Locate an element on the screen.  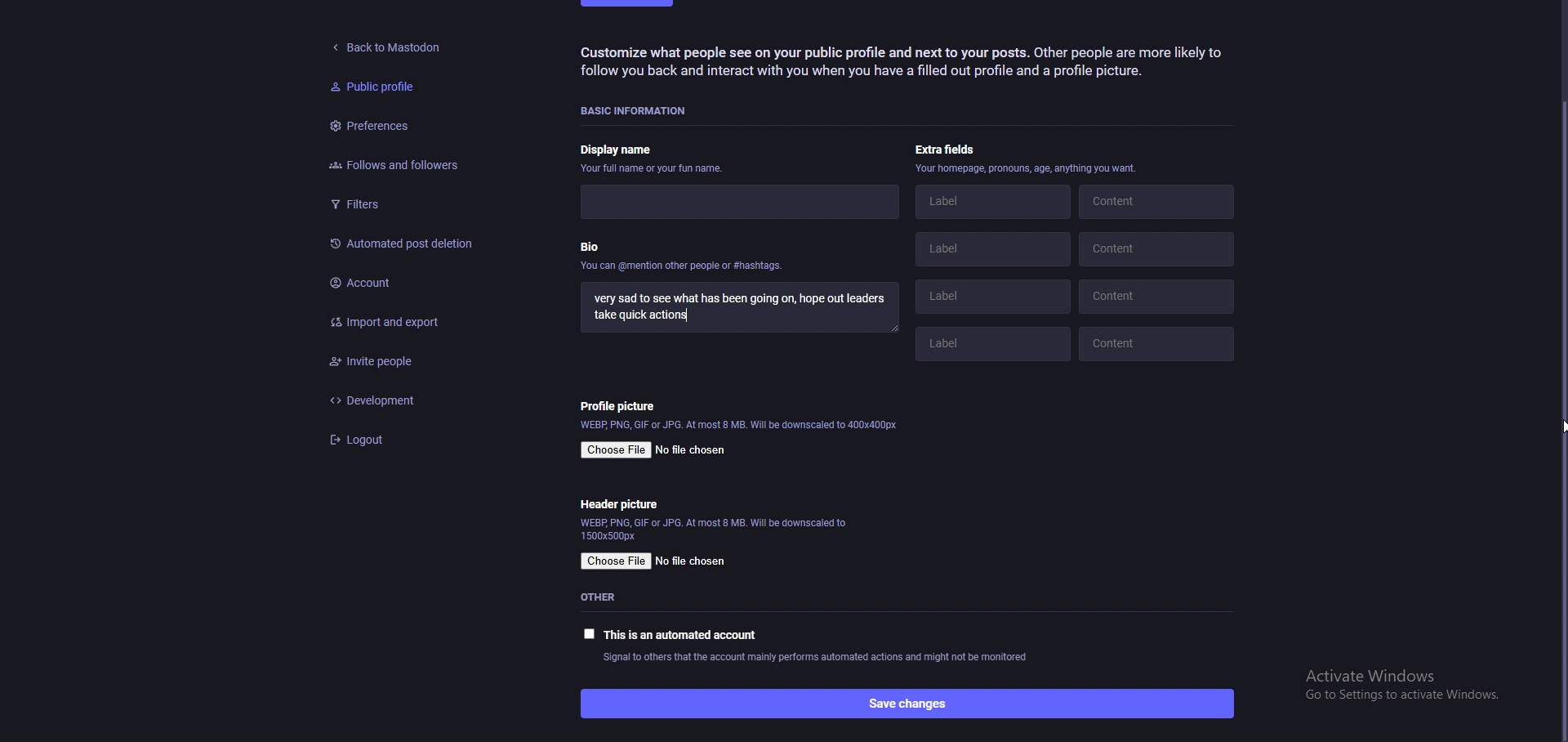
Preferences is located at coordinates (370, 128).